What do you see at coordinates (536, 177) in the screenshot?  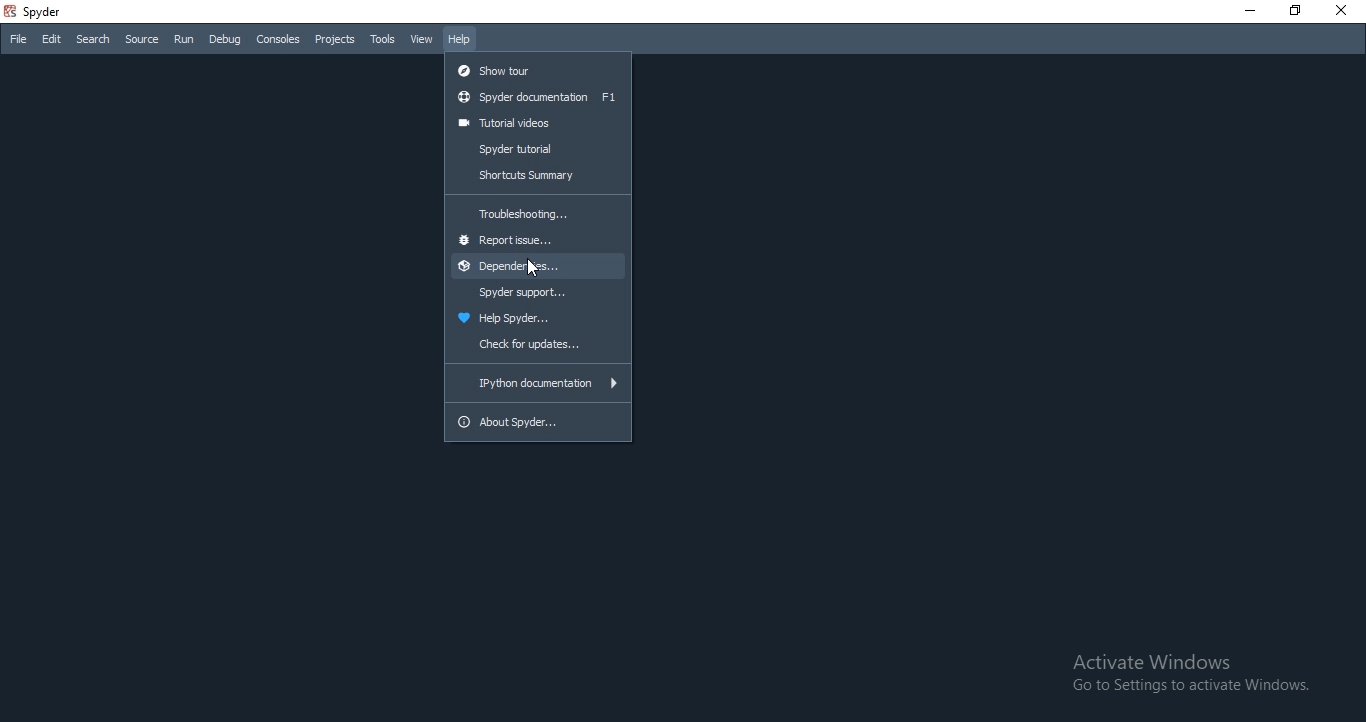 I see `shortcuts` at bounding box center [536, 177].